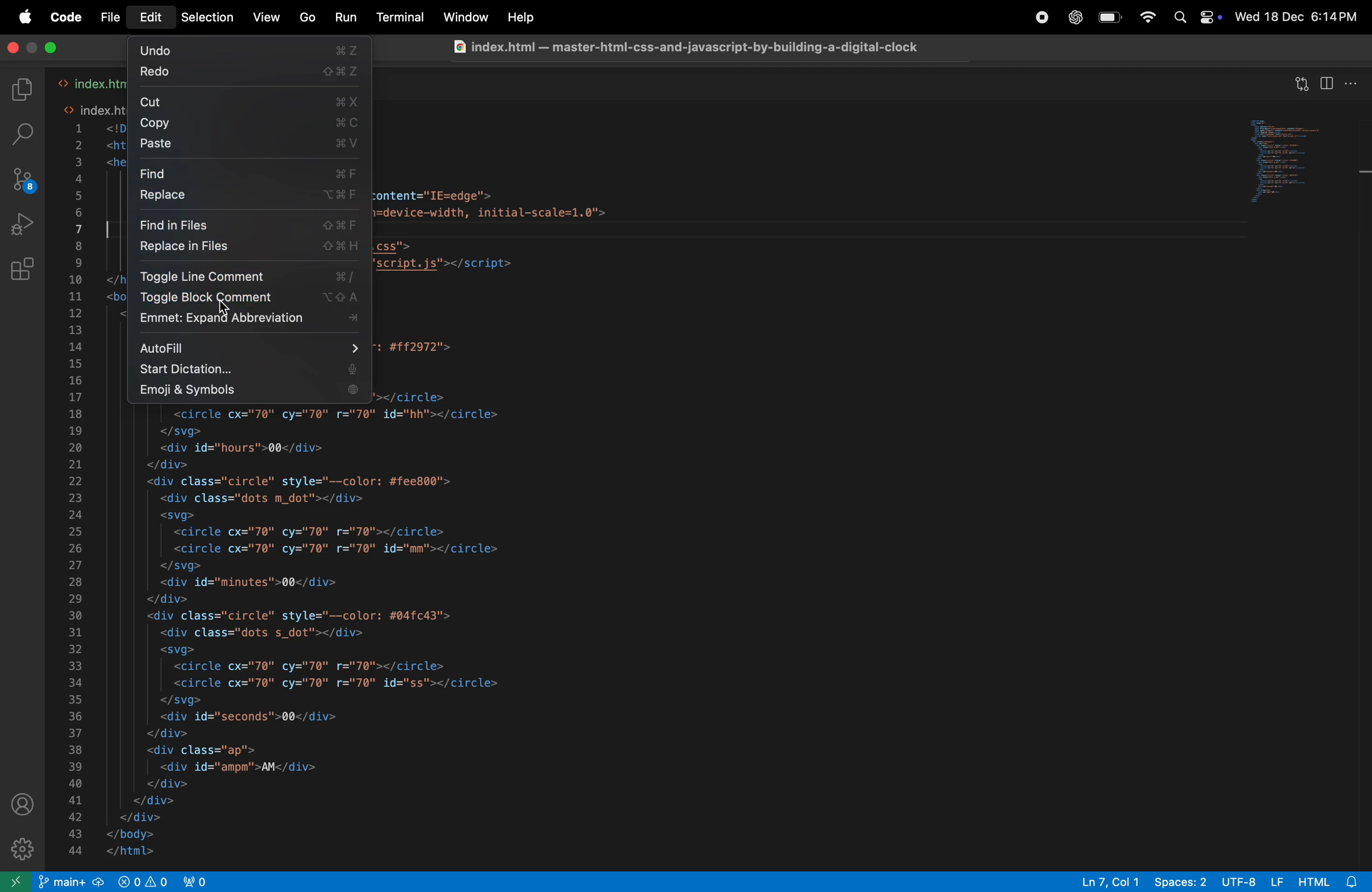 This screenshot has width=1372, height=892. Describe the element at coordinates (1042, 20) in the screenshot. I see `record` at that location.